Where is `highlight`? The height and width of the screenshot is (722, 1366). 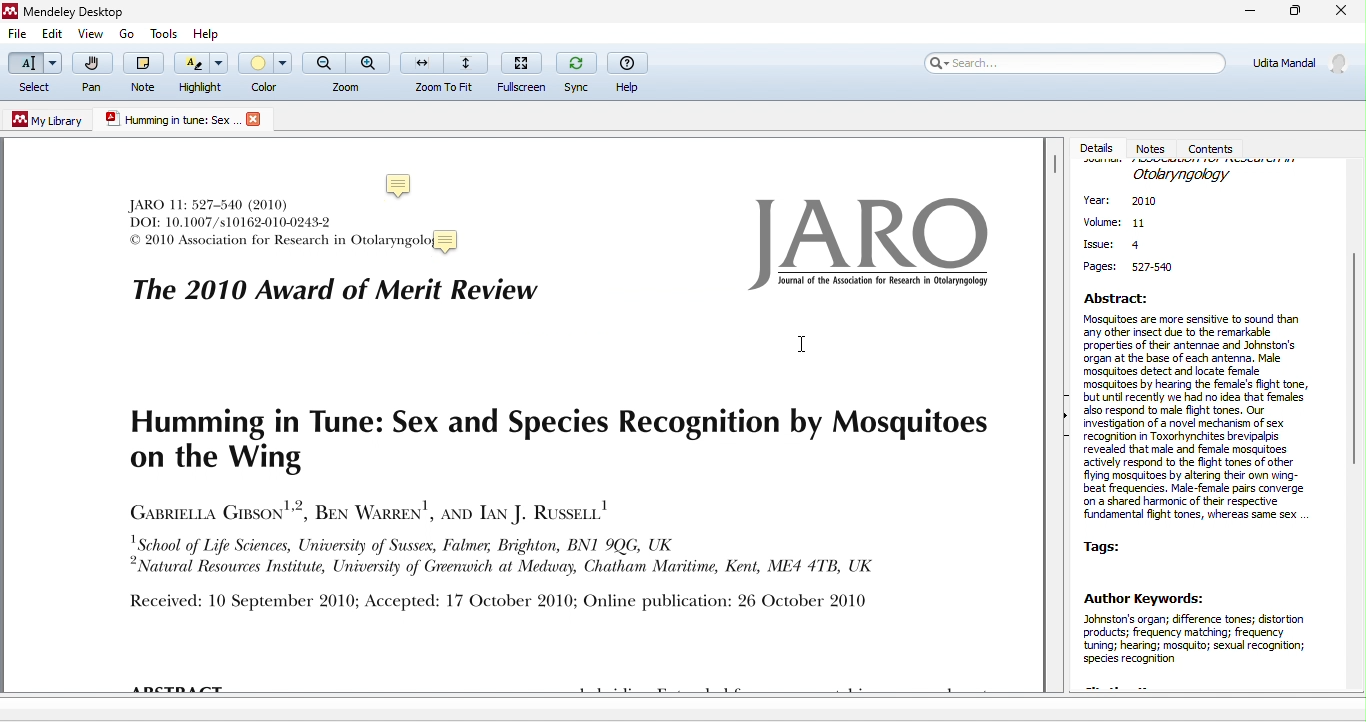 highlight is located at coordinates (201, 74).